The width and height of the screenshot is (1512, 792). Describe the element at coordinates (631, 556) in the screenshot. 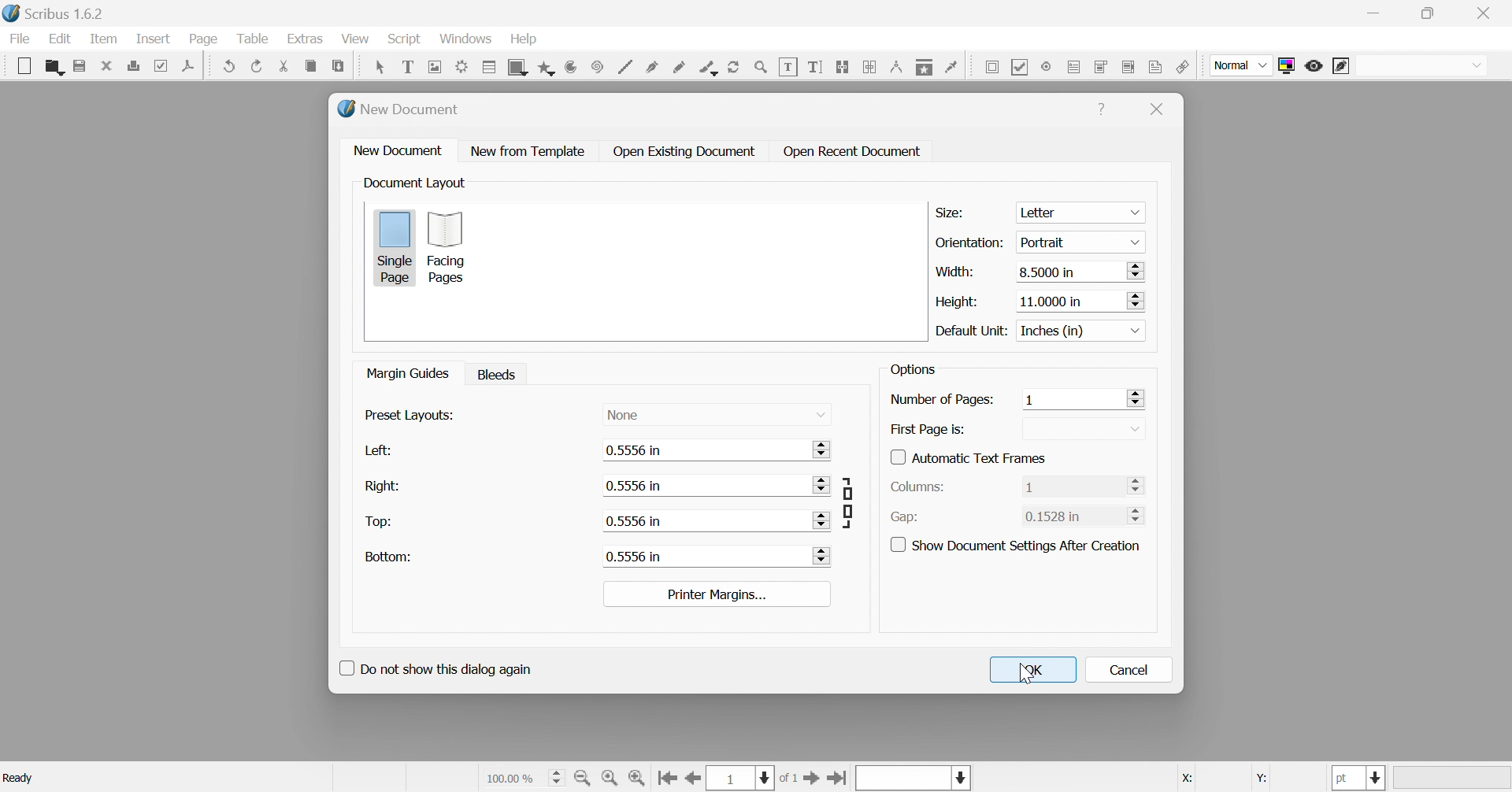

I see `0.5556 in` at that location.